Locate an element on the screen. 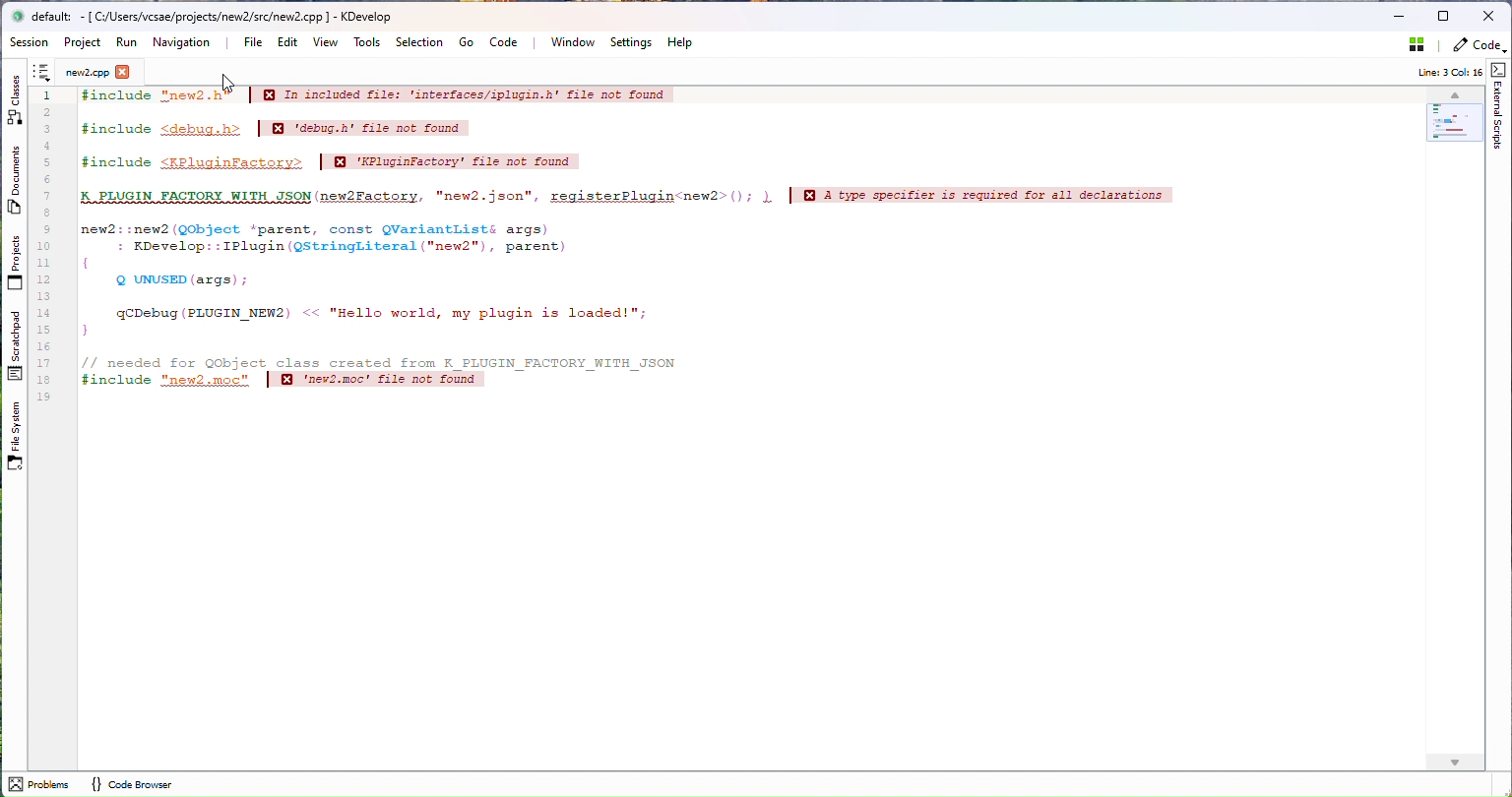 Image resolution: width=1512 pixels, height=797 pixels. Window is located at coordinates (573, 45).